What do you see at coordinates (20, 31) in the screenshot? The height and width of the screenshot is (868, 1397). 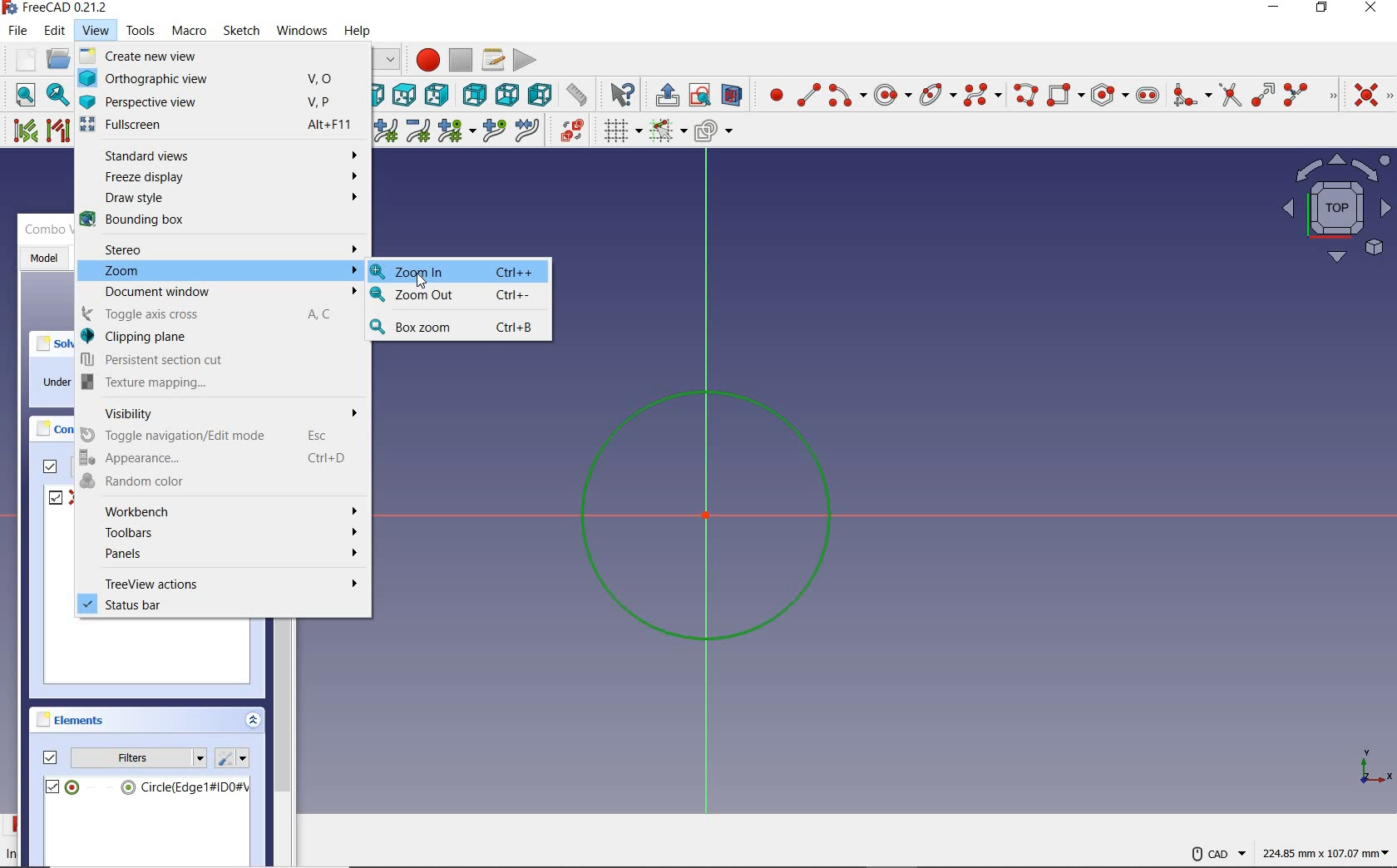 I see `file` at bounding box center [20, 31].